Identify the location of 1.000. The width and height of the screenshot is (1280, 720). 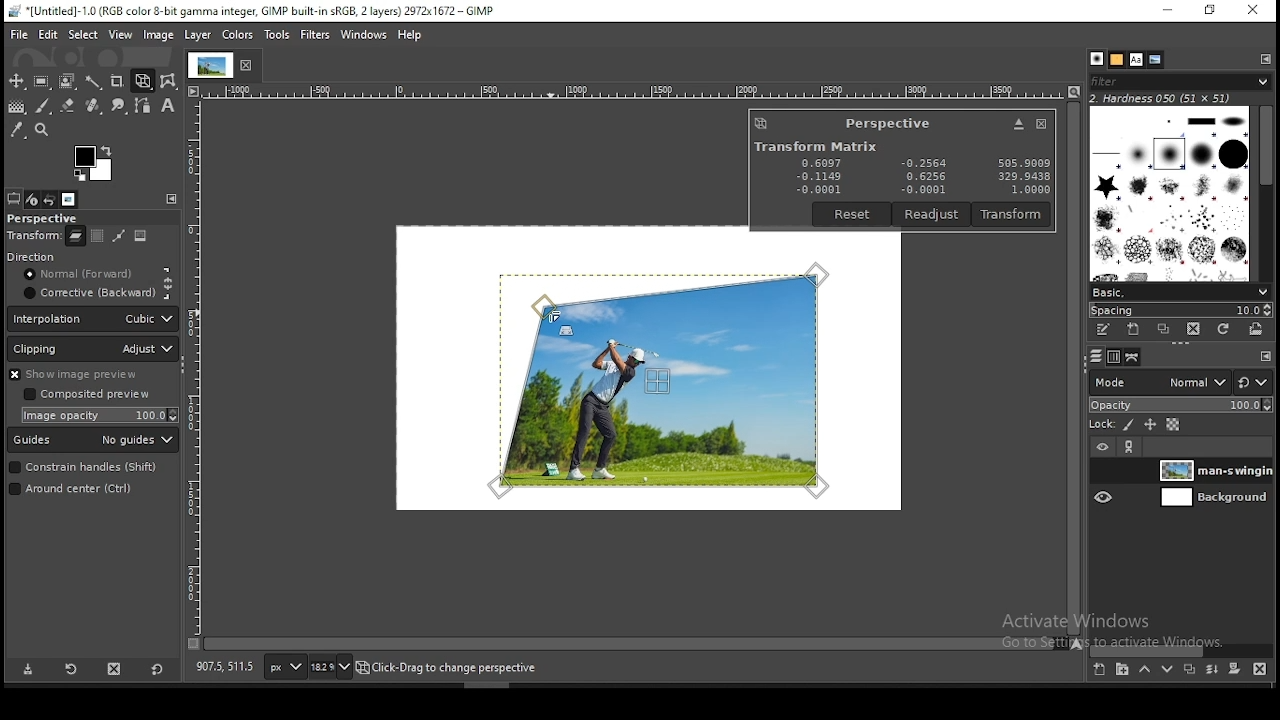
(1028, 190).